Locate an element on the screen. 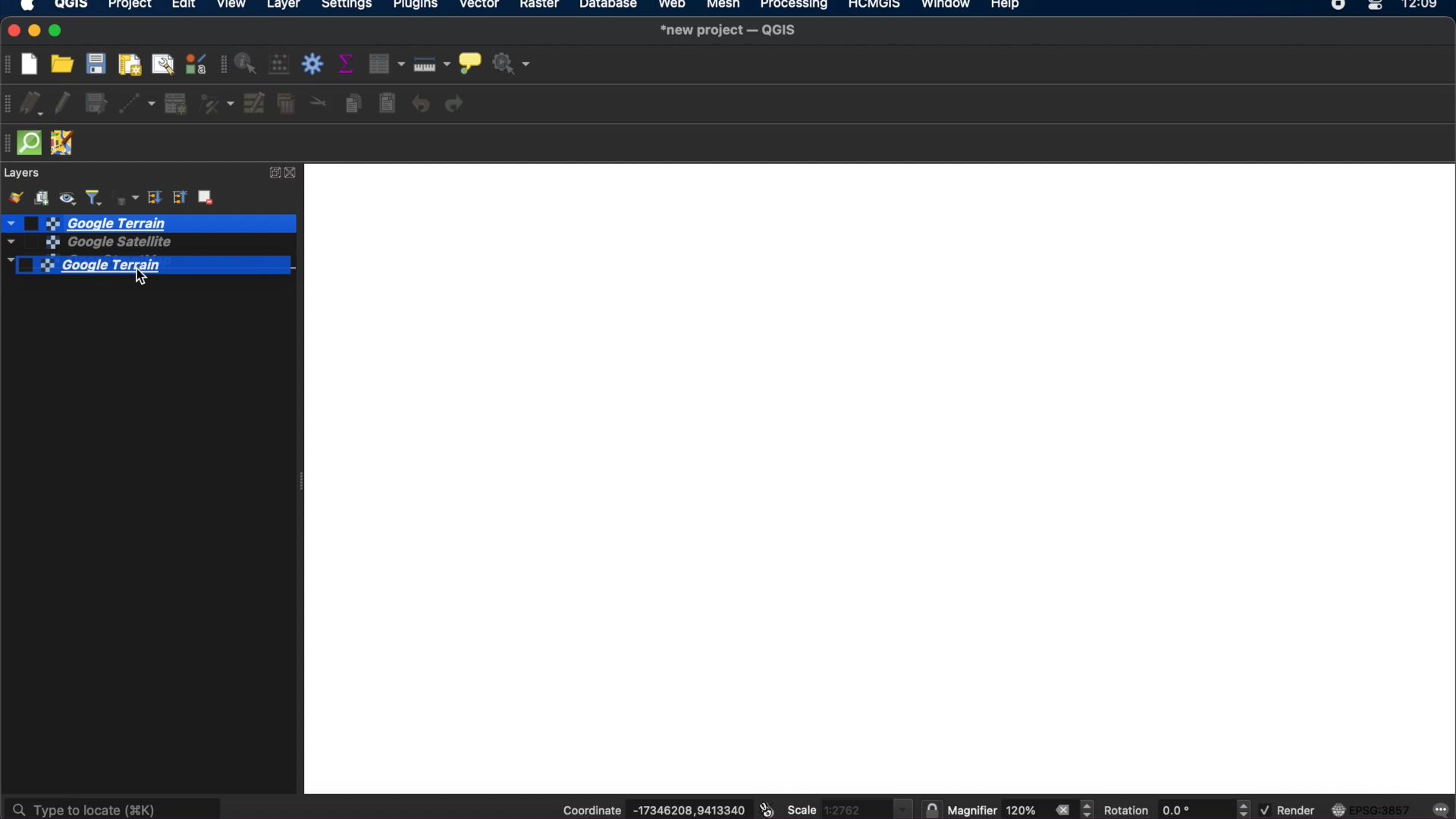  lock scale is located at coordinates (931, 810).